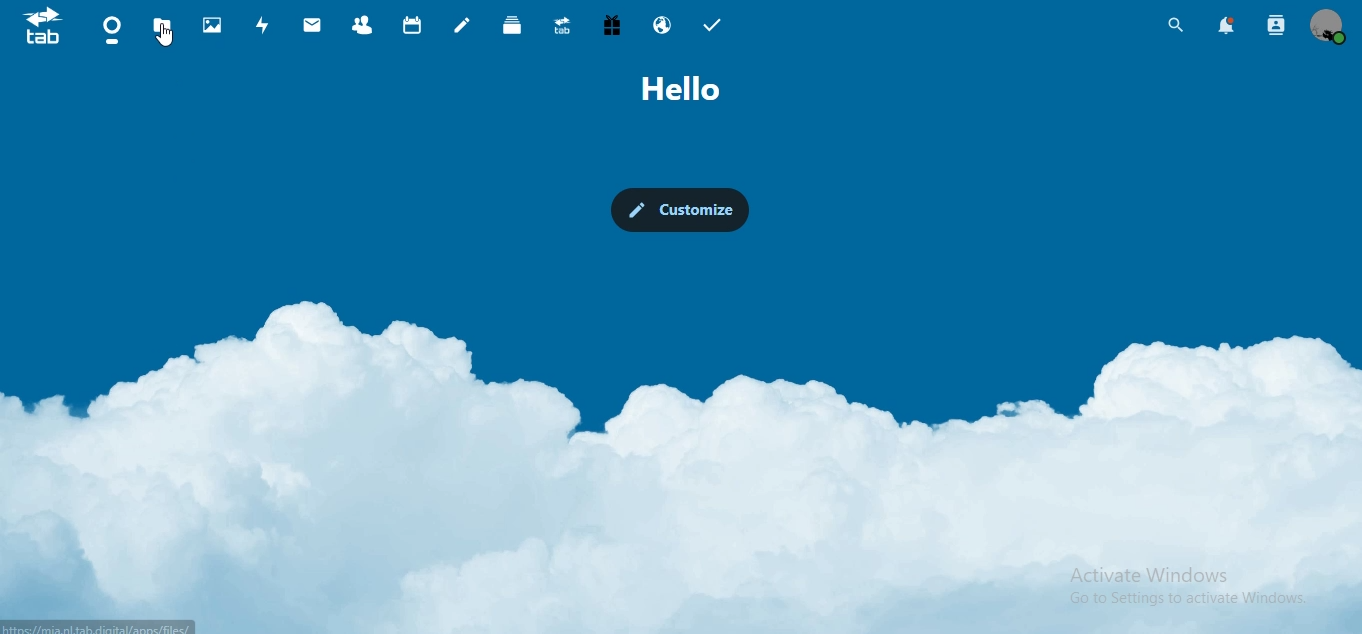  What do you see at coordinates (565, 27) in the screenshot?
I see `upgrade` at bounding box center [565, 27].